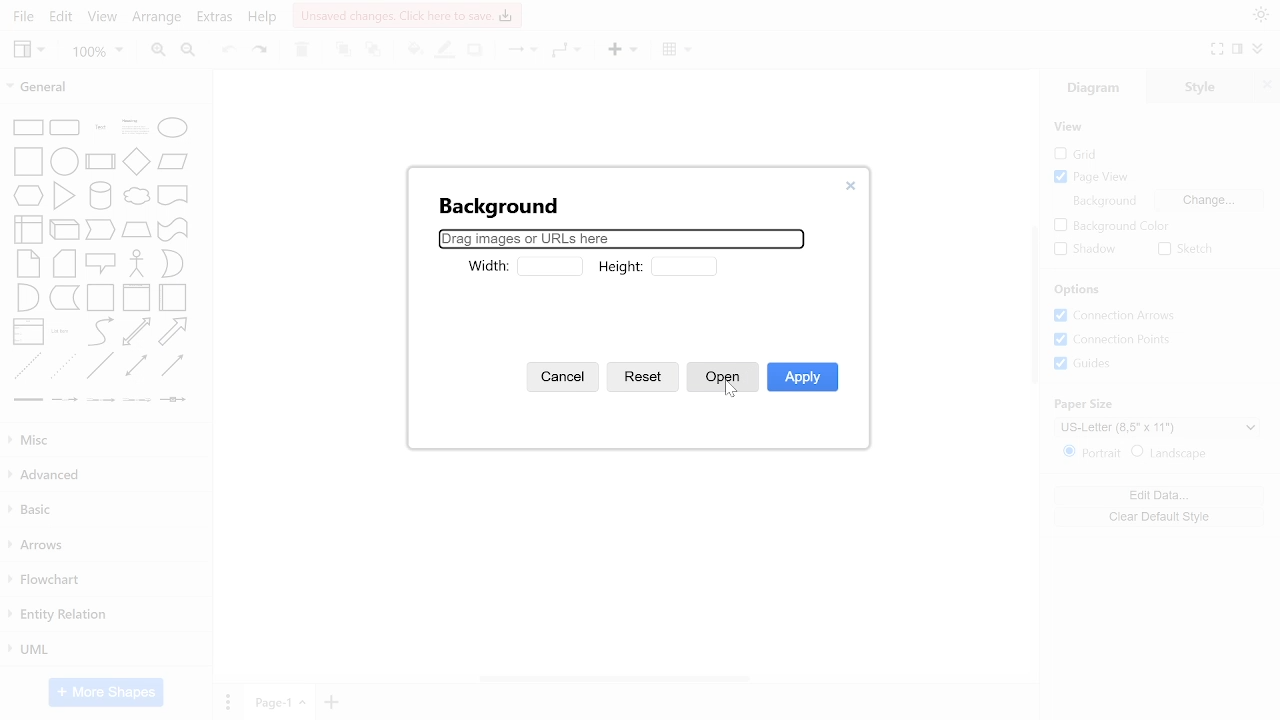 This screenshot has height=720, width=1280. Describe the element at coordinates (134, 399) in the screenshot. I see `general shapes` at that location.